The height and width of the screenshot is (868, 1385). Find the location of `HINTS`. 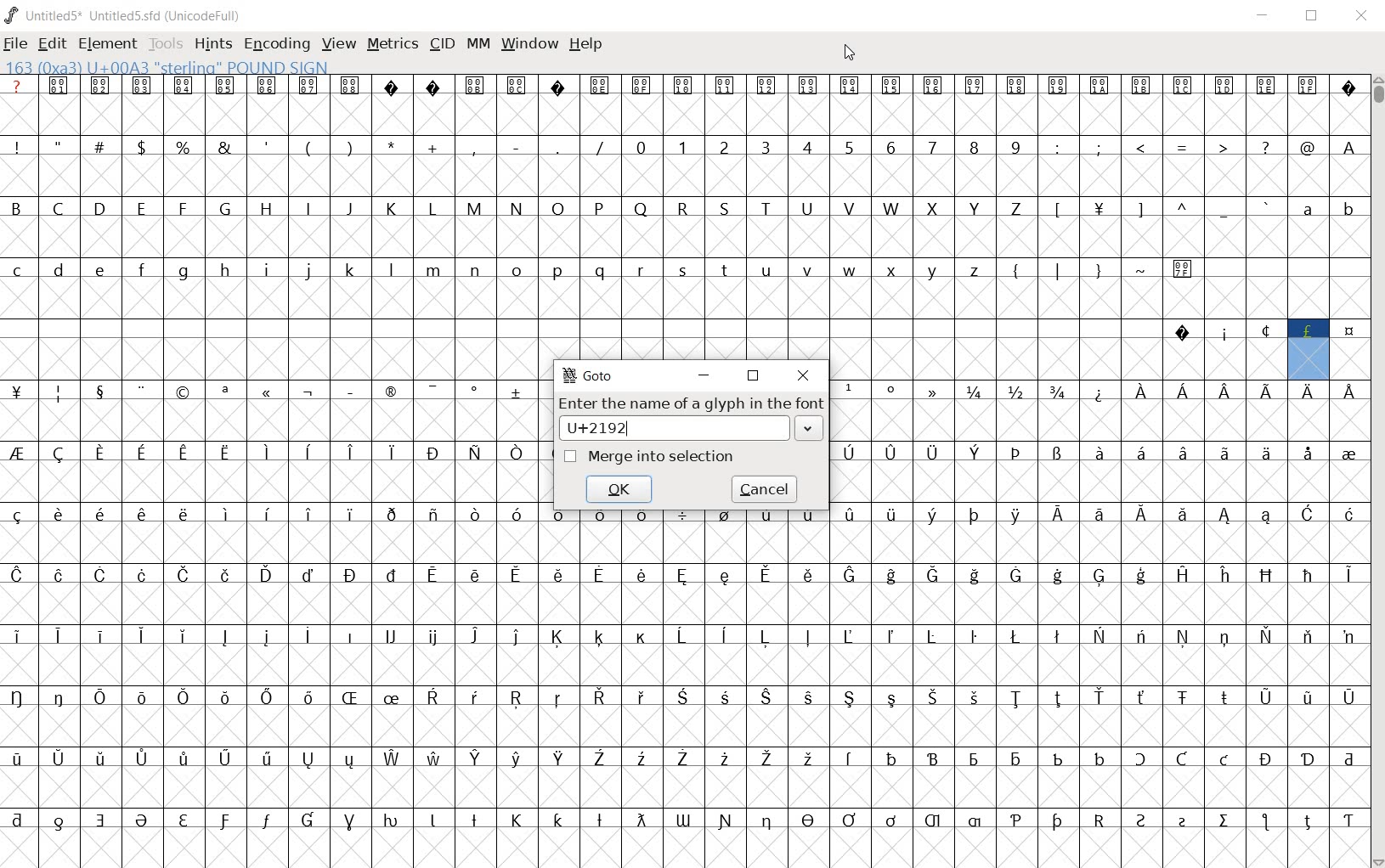

HINTS is located at coordinates (211, 43).